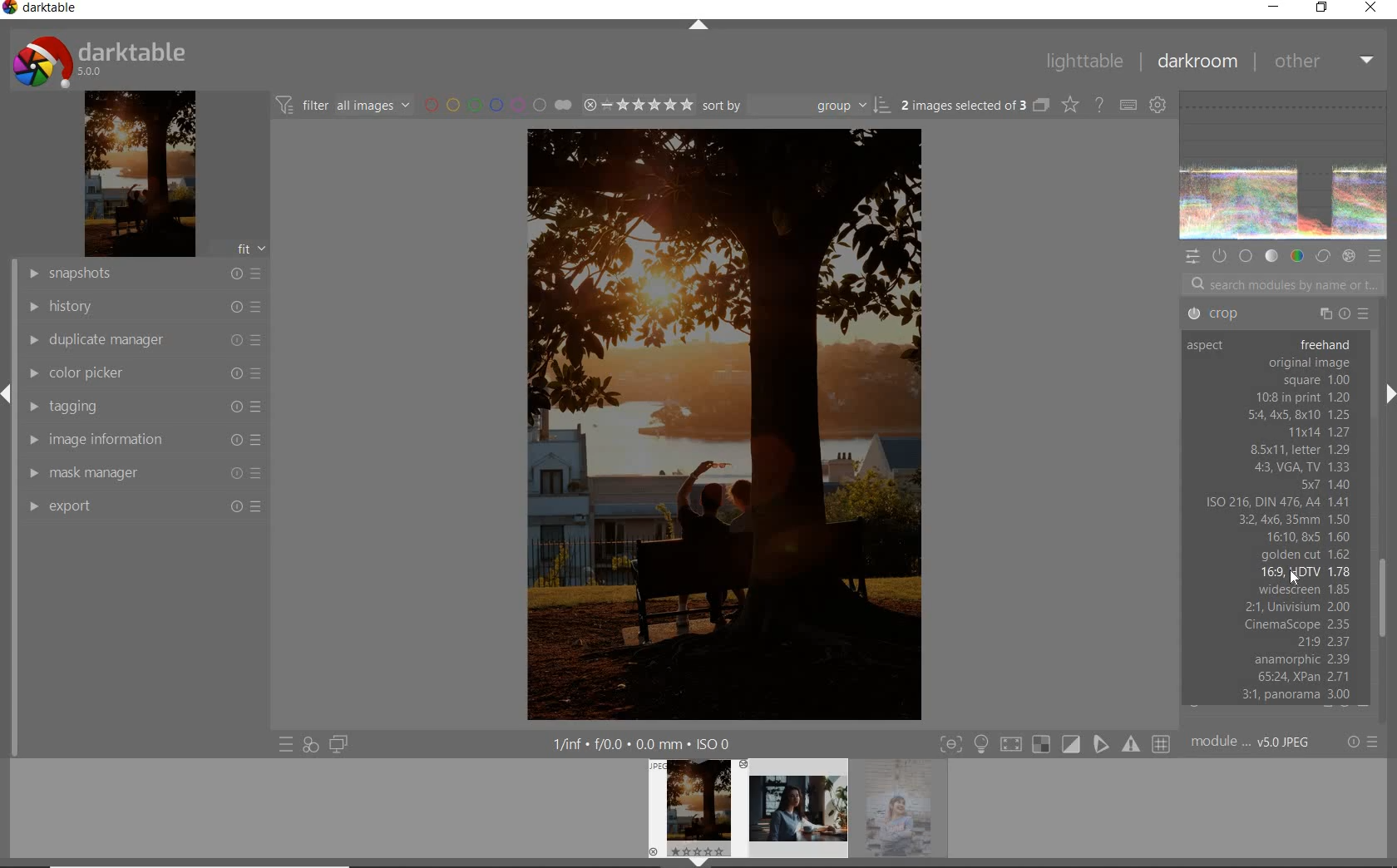  I want to click on selected image, so click(721, 422).